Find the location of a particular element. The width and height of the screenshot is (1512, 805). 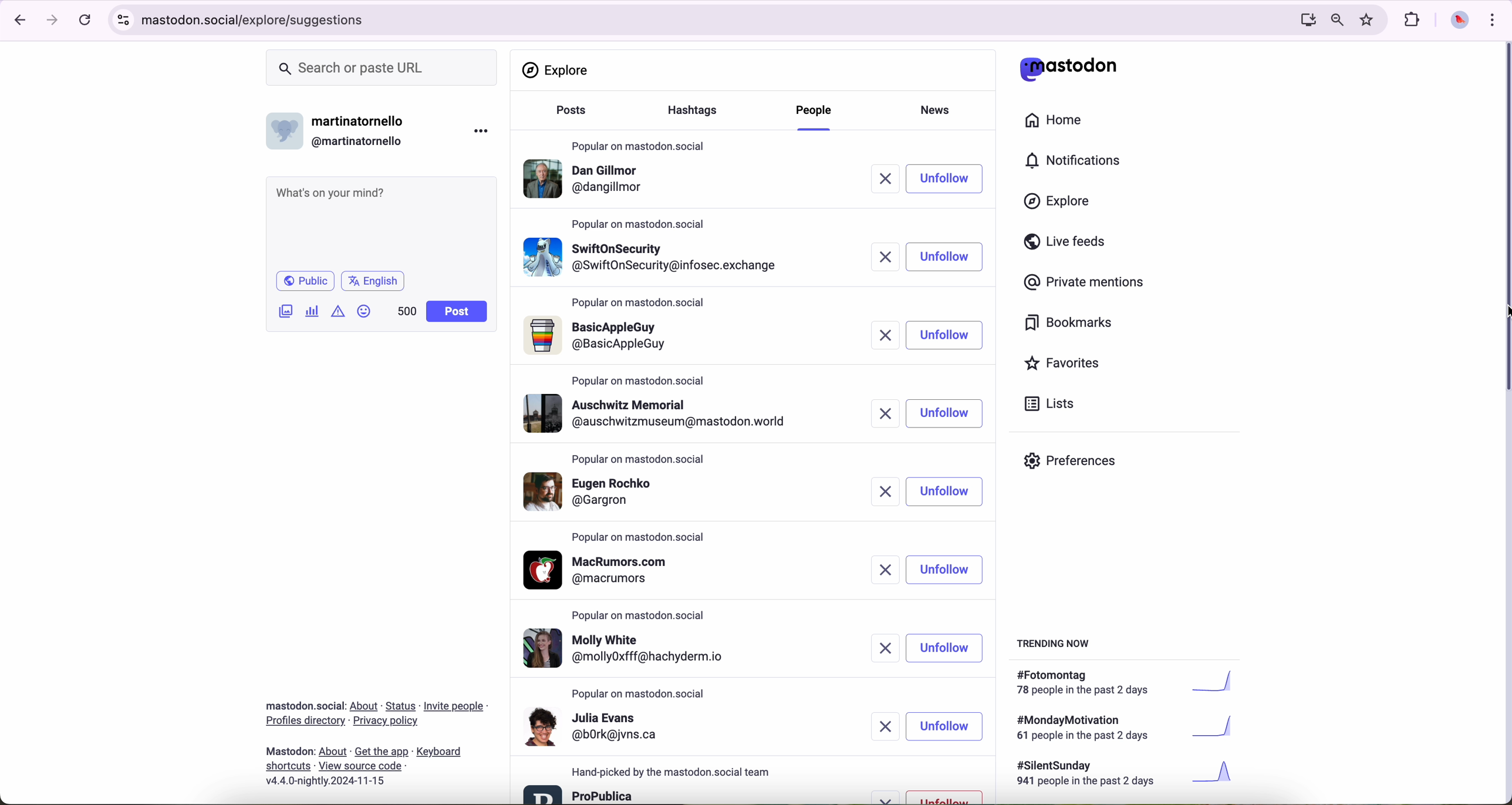

emoji is located at coordinates (365, 311).